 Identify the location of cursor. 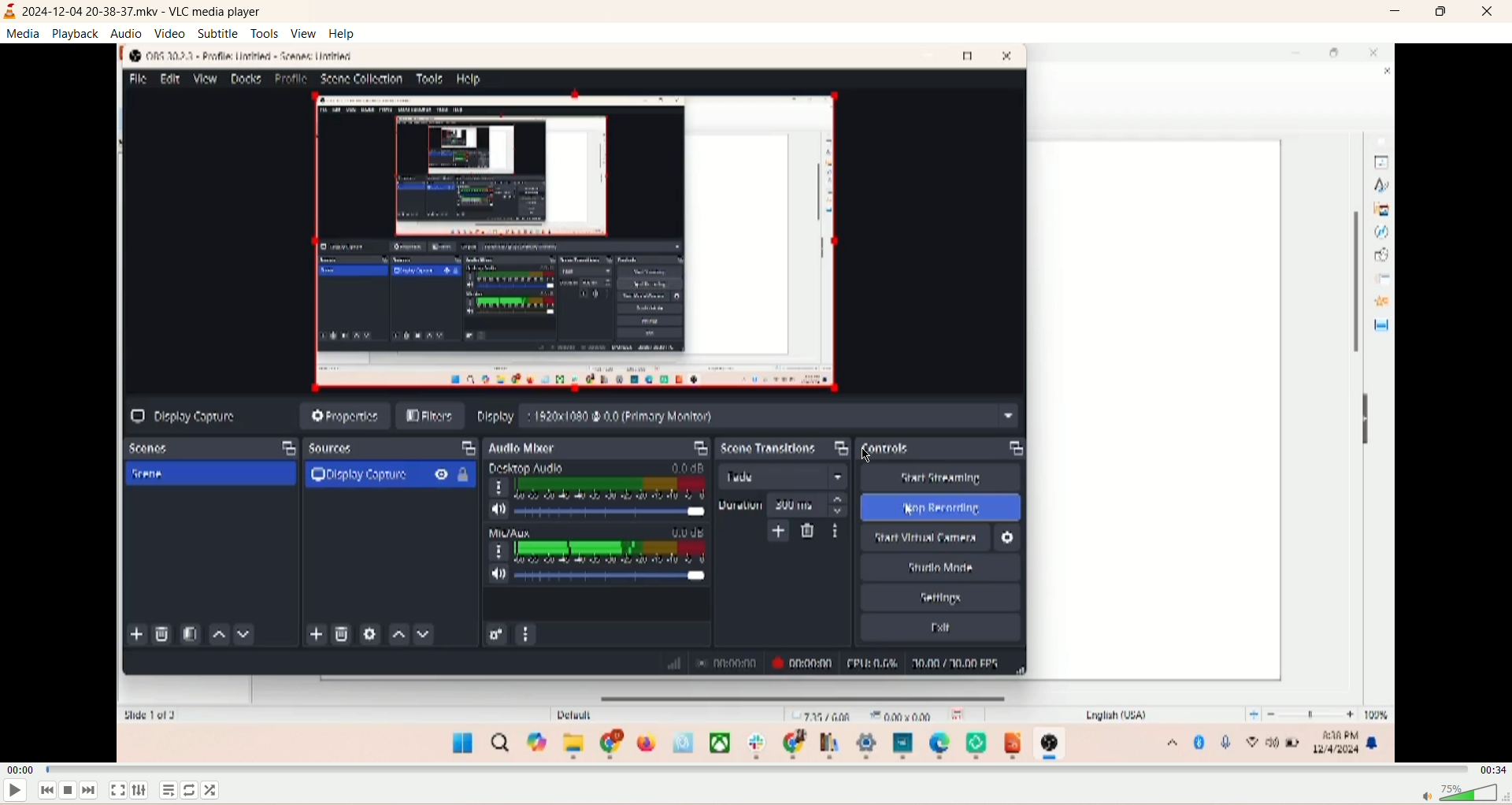
(860, 455).